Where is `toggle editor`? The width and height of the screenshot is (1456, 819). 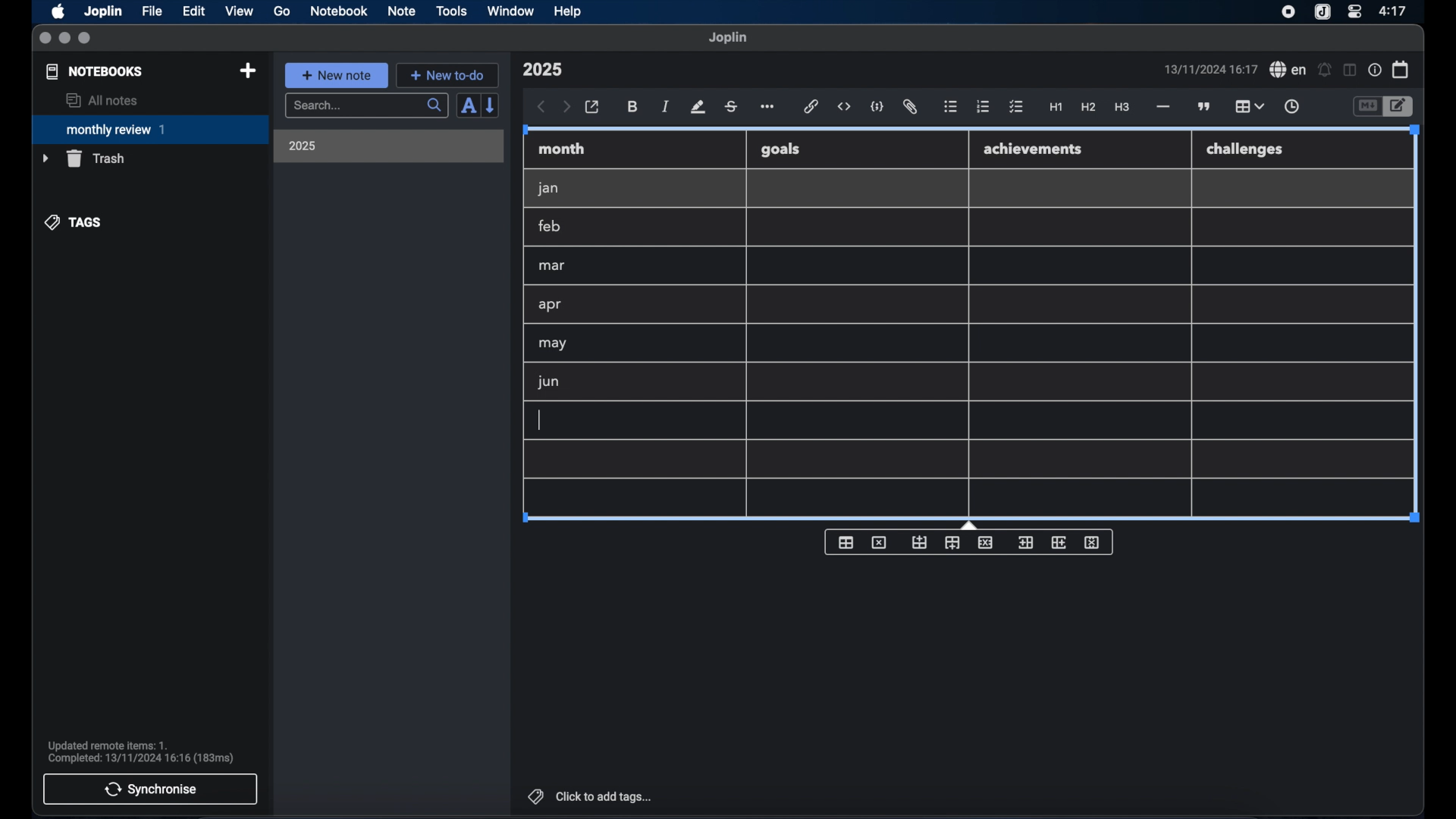
toggle editor is located at coordinates (1401, 107).